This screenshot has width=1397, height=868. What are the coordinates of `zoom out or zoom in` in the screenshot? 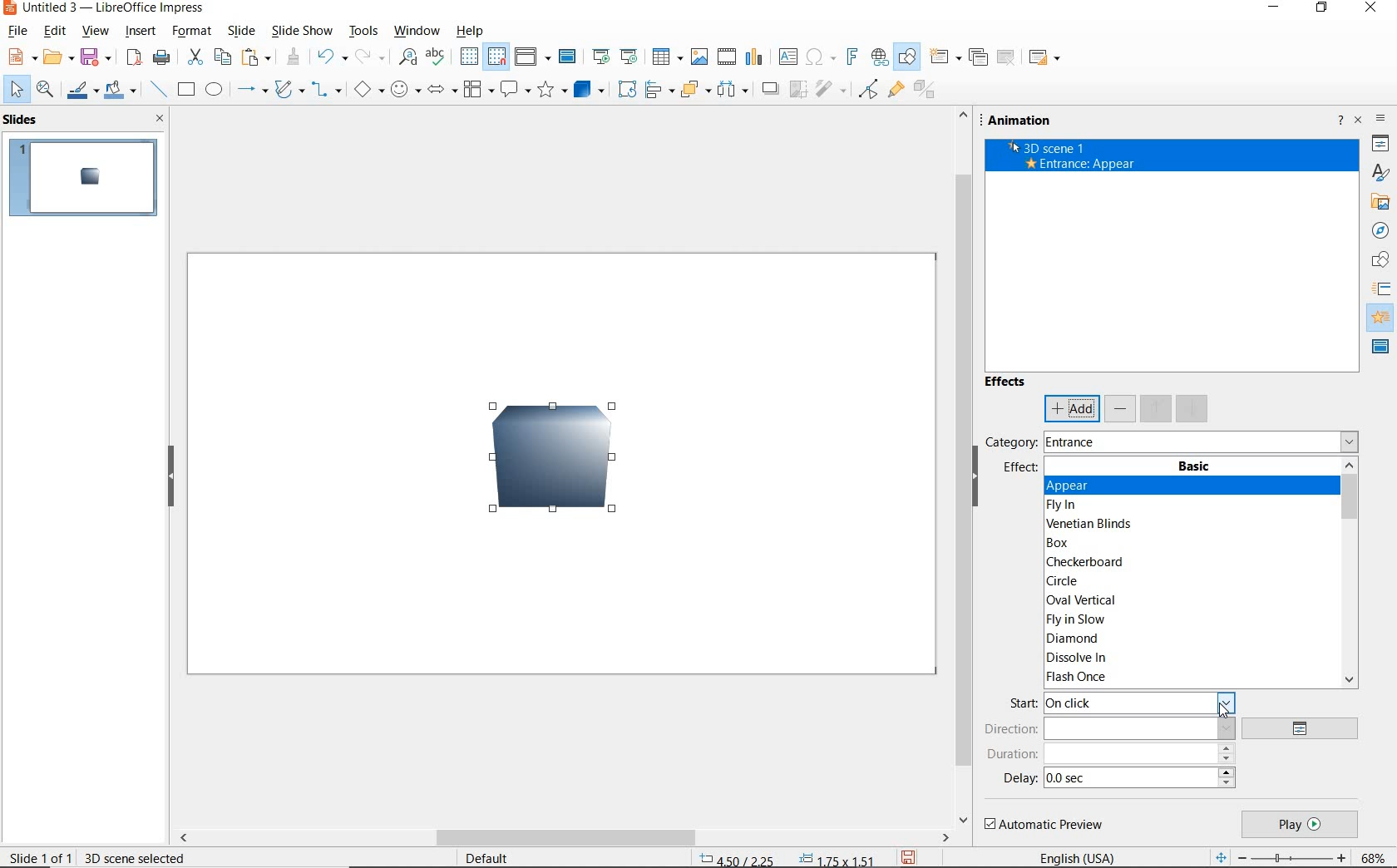 It's located at (1278, 856).